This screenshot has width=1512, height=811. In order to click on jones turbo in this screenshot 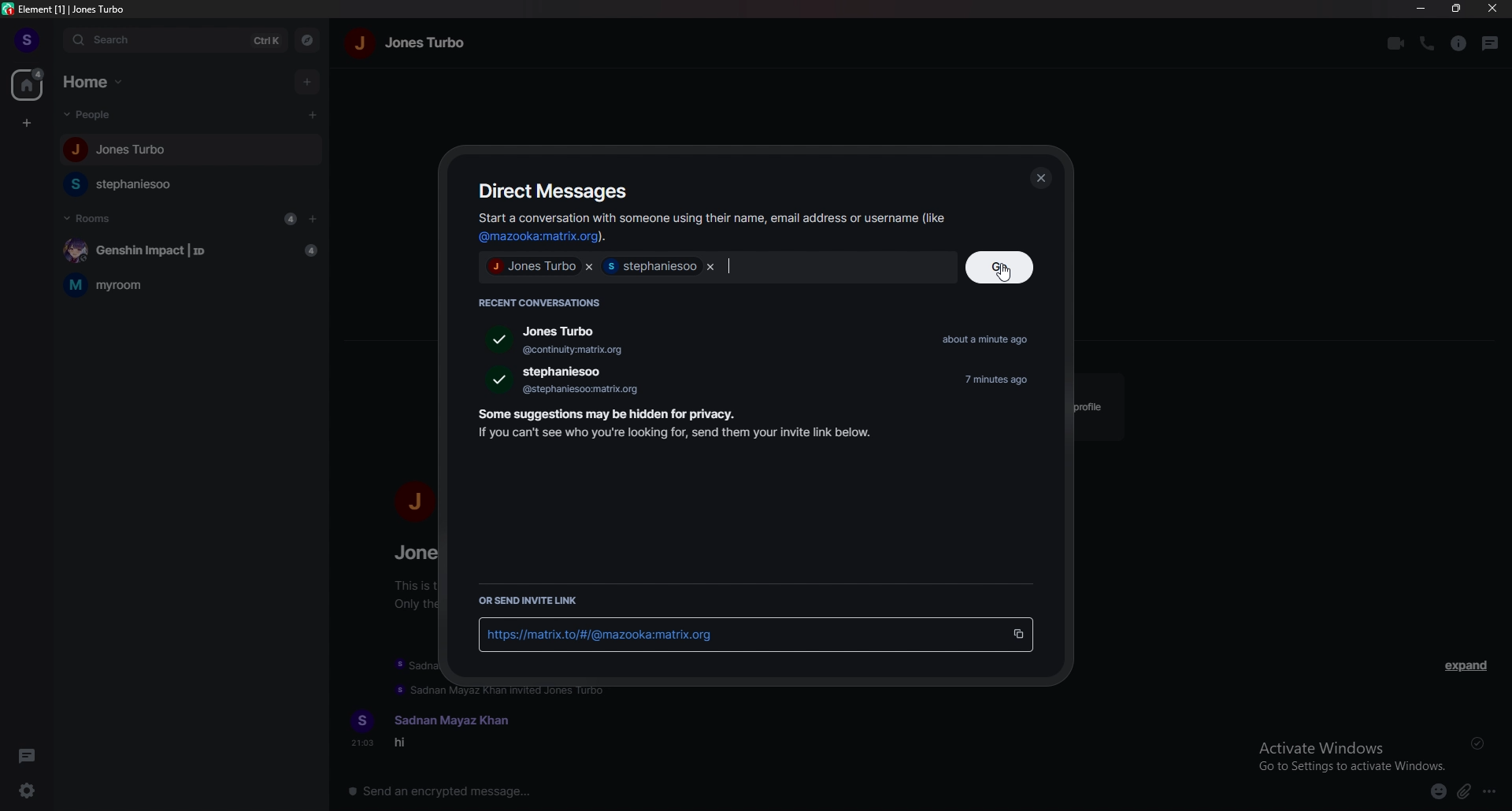, I will do `click(532, 266)`.